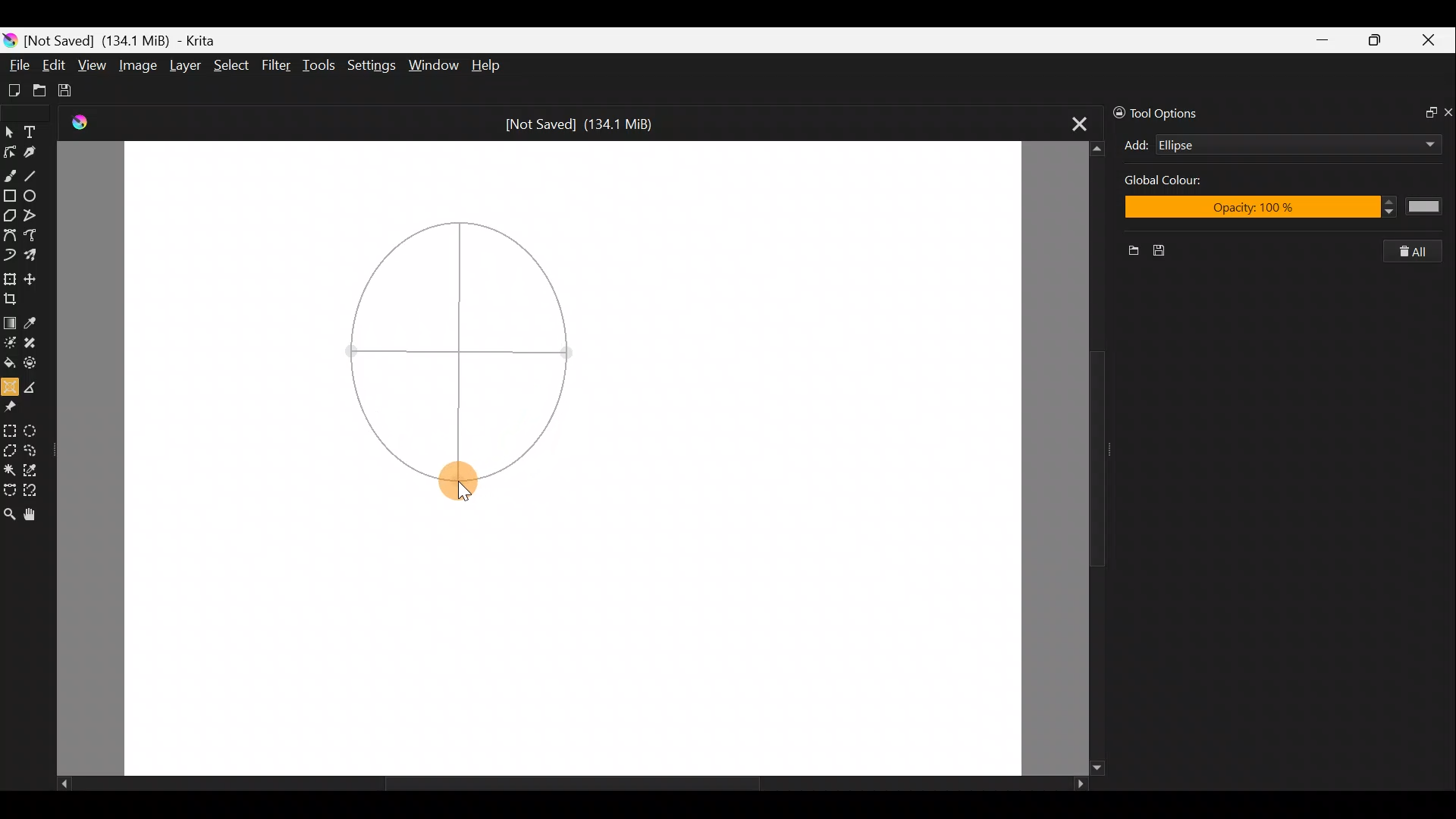 The height and width of the screenshot is (819, 1456). Describe the element at coordinates (587, 122) in the screenshot. I see `[Not Saved] (134.1 MiB)` at that location.